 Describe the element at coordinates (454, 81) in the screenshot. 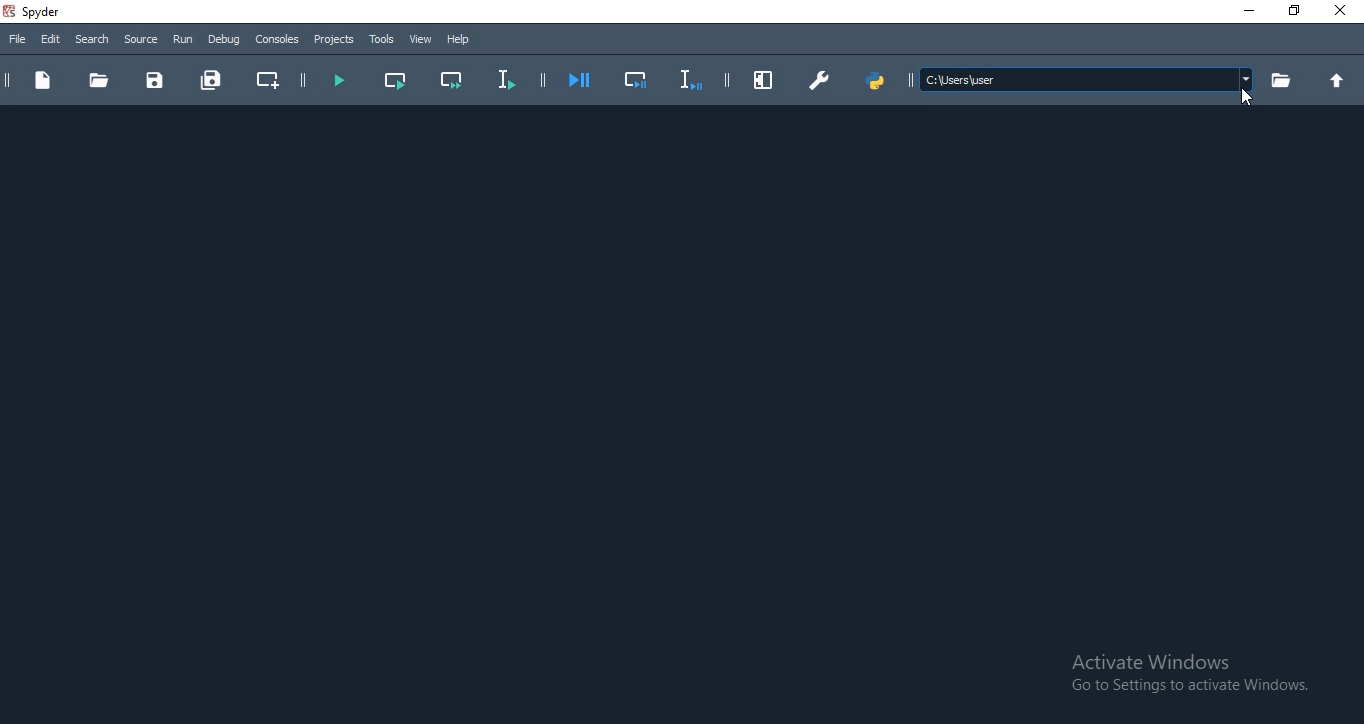

I see `run current cell and go to next line` at that location.